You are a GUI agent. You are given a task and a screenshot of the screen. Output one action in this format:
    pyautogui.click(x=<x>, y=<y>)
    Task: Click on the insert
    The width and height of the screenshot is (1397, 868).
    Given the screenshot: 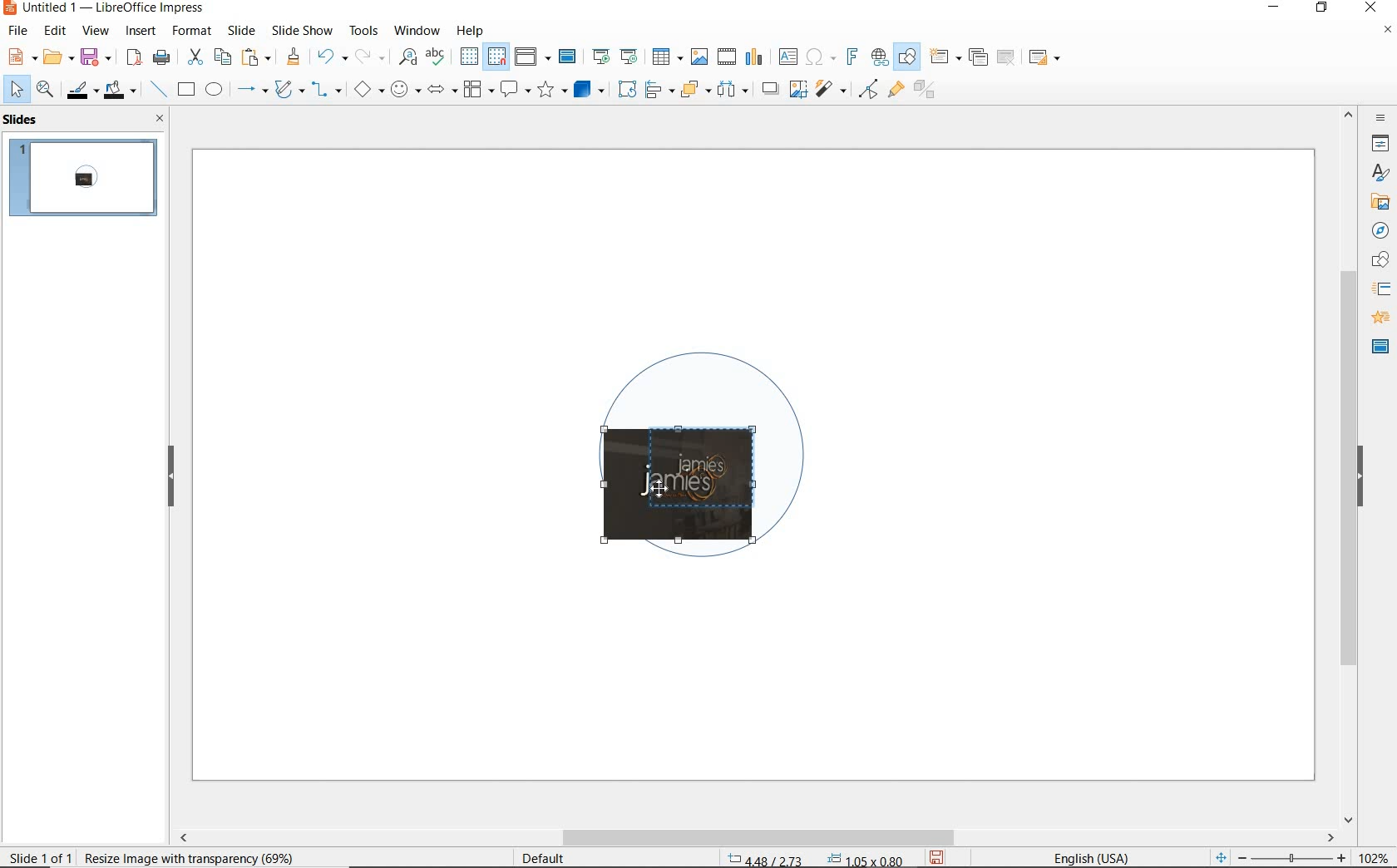 What is the action you would take?
    pyautogui.click(x=141, y=32)
    